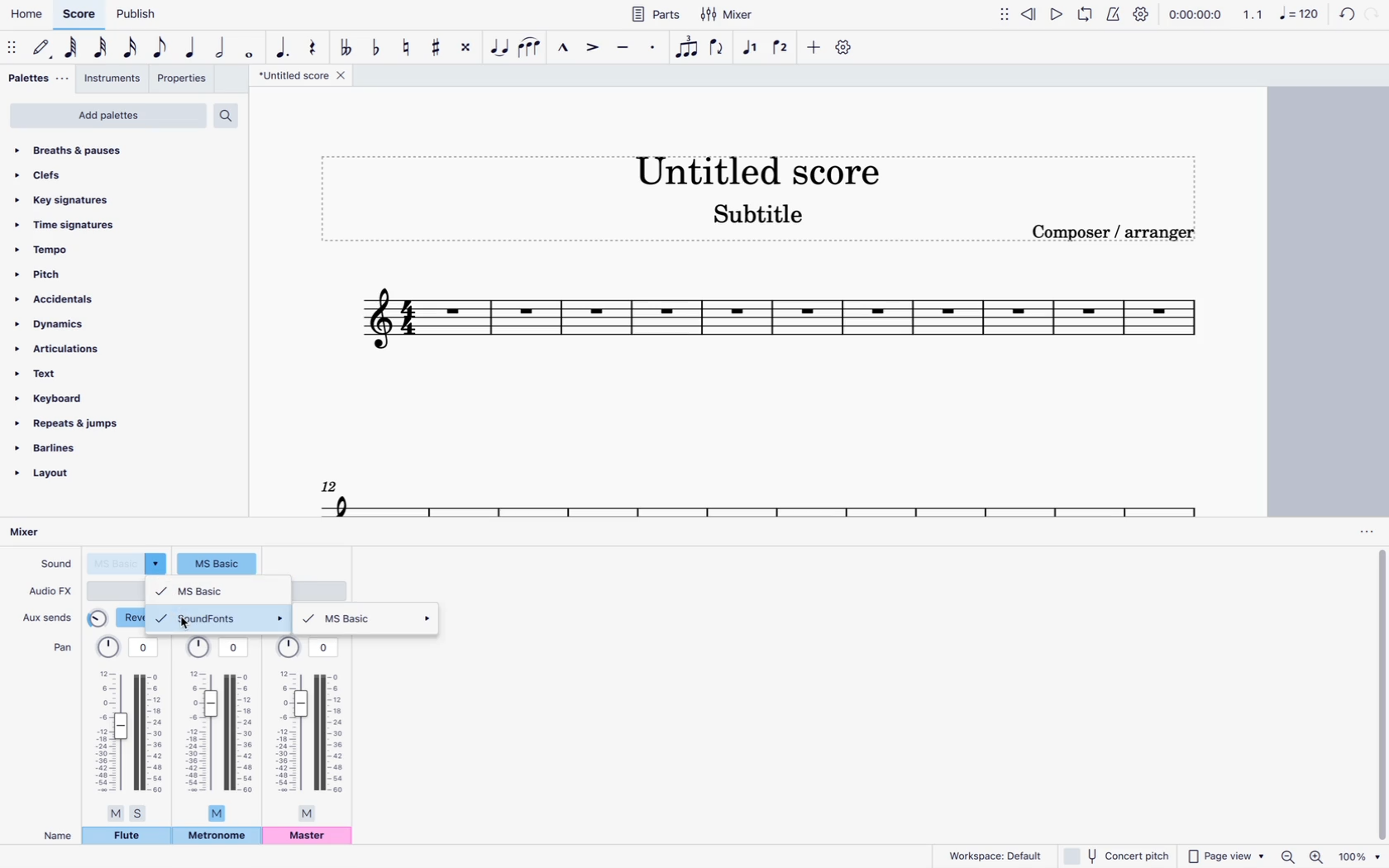 The width and height of the screenshot is (1389, 868). What do you see at coordinates (103, 48) in the screenshot?
I see `32nd note` at bounding box center [103, 48].